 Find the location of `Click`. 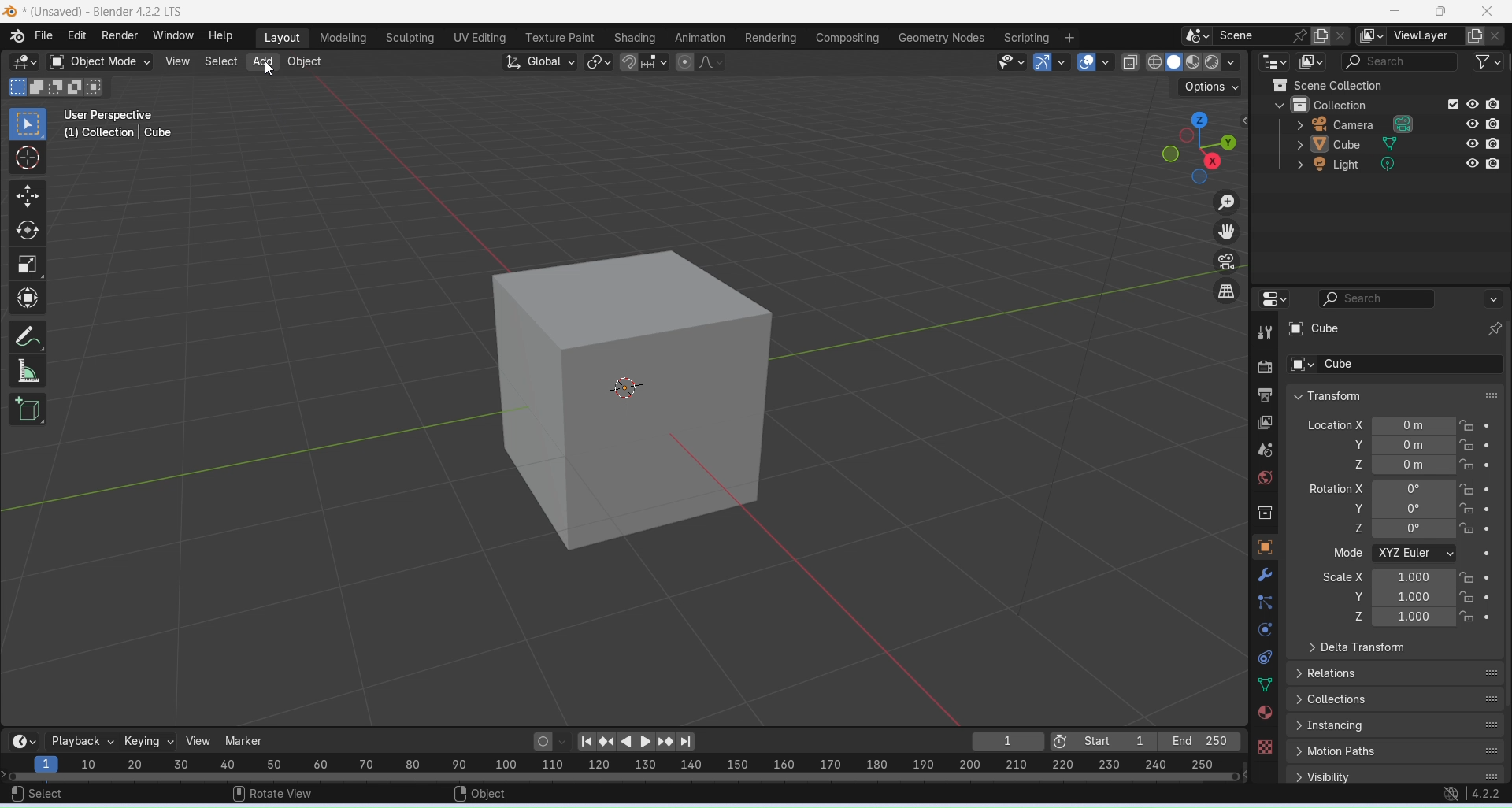

Click is located at coordinates (1200, 147).